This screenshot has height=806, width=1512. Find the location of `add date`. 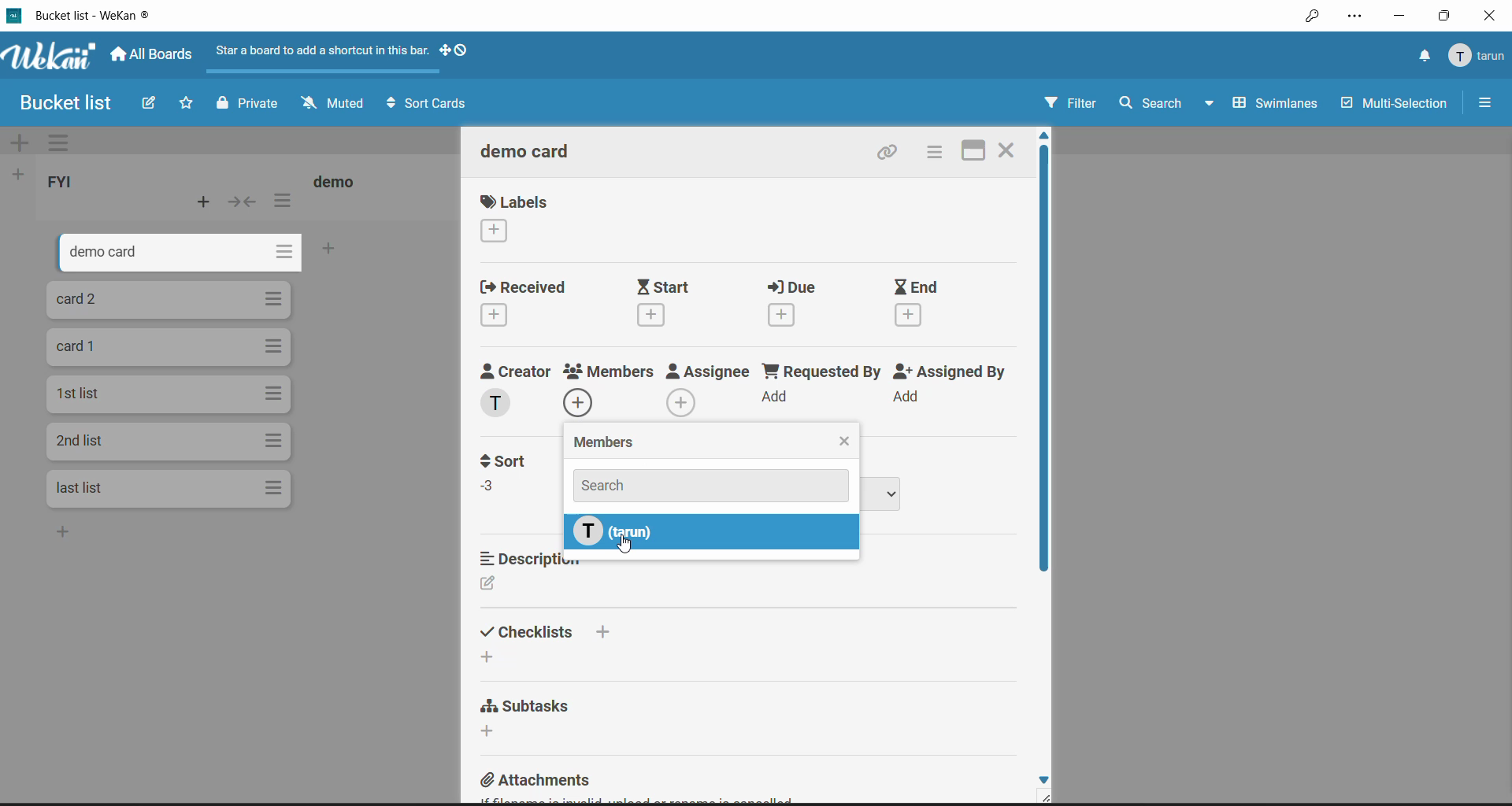

add date is located at coordinates (909, 314).